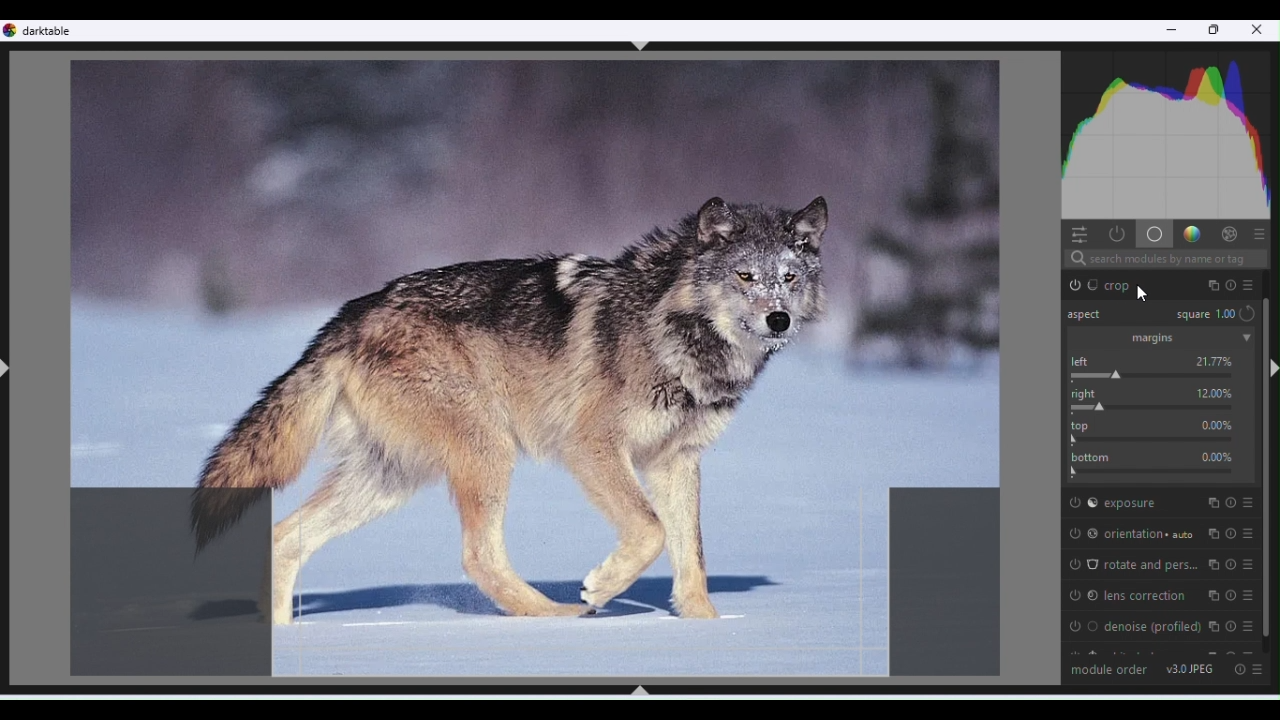 The height and width of the screenshot is (720, 1280). I want to click on value, so click(1217, 425).